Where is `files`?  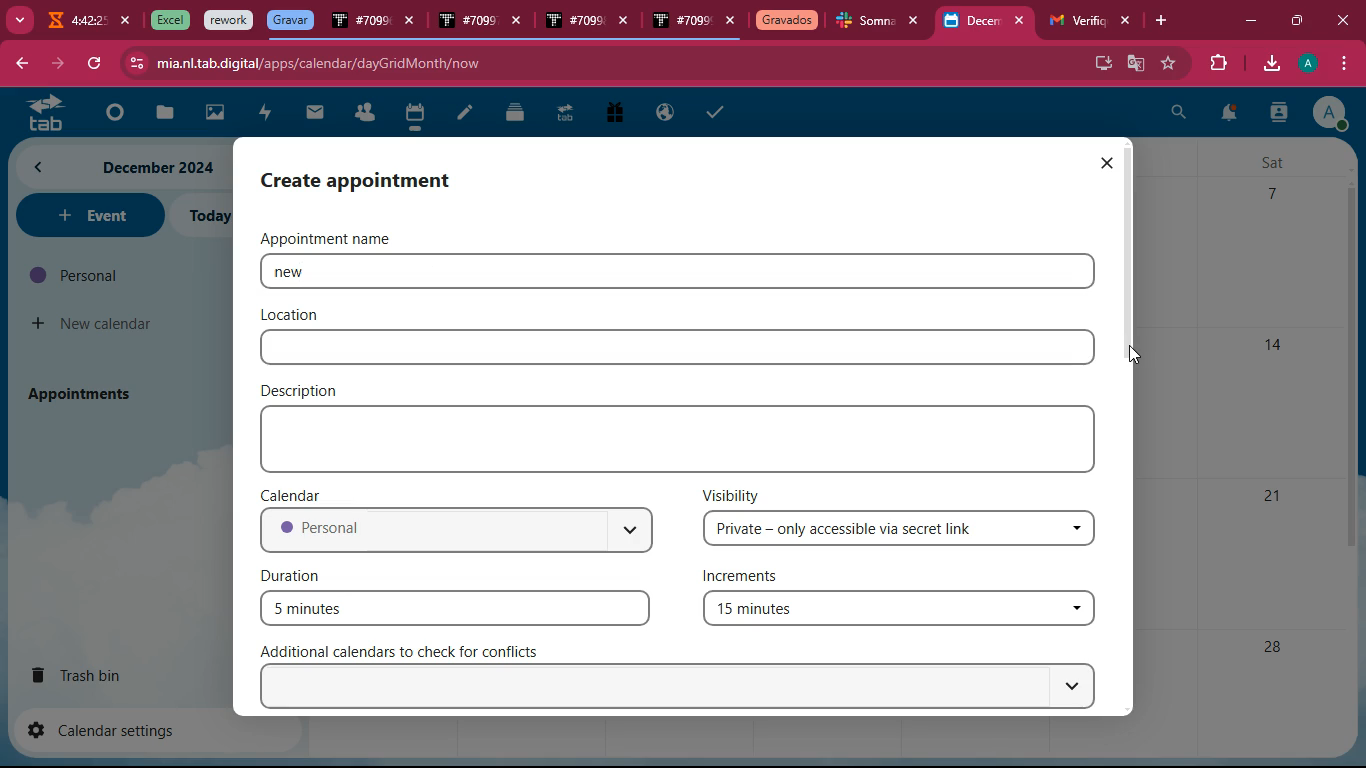
files is located at coordinates (161, 114).